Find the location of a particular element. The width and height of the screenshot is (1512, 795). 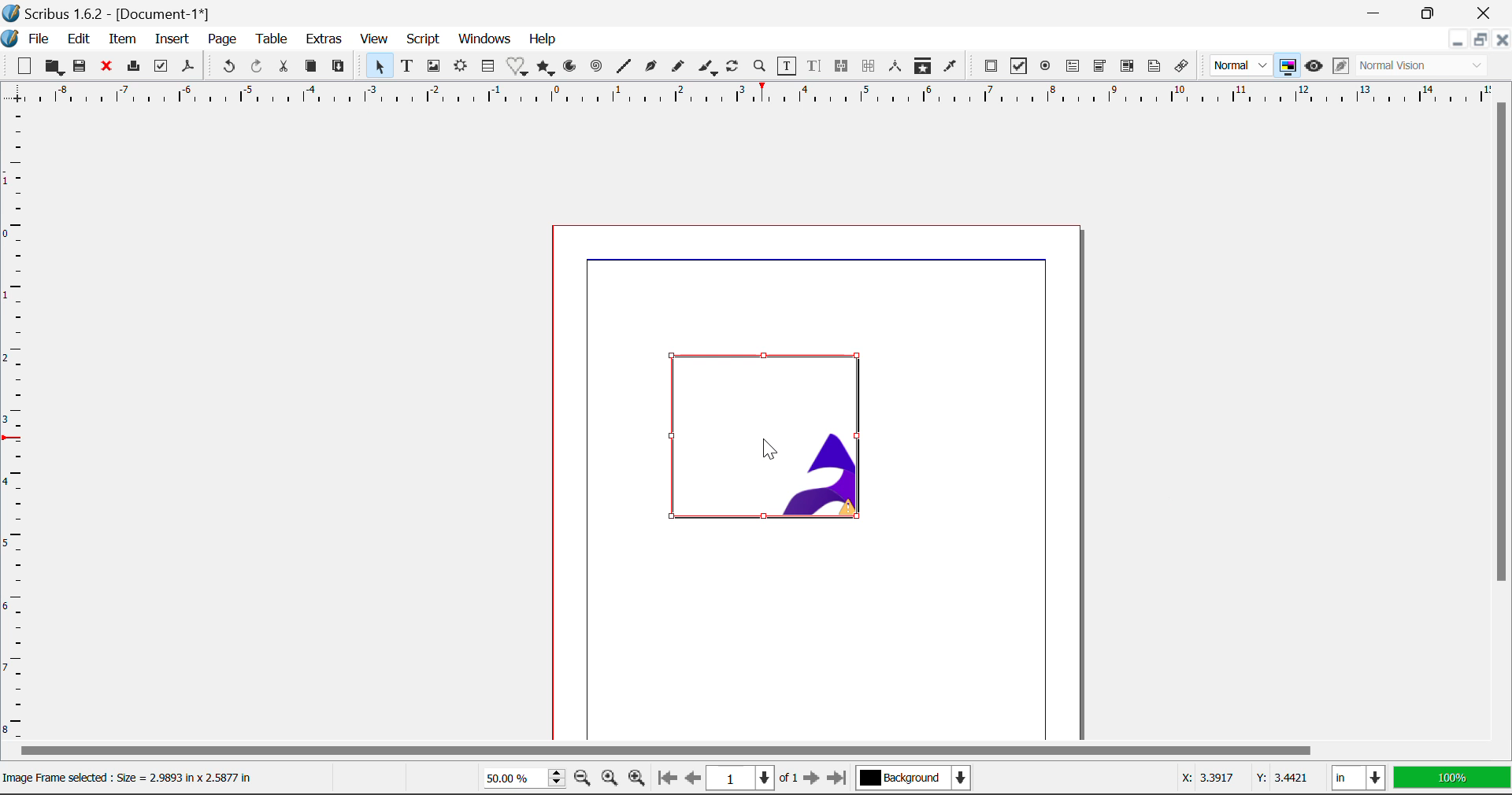

Pdf Combo Box is located at coordinates (1098, 66).